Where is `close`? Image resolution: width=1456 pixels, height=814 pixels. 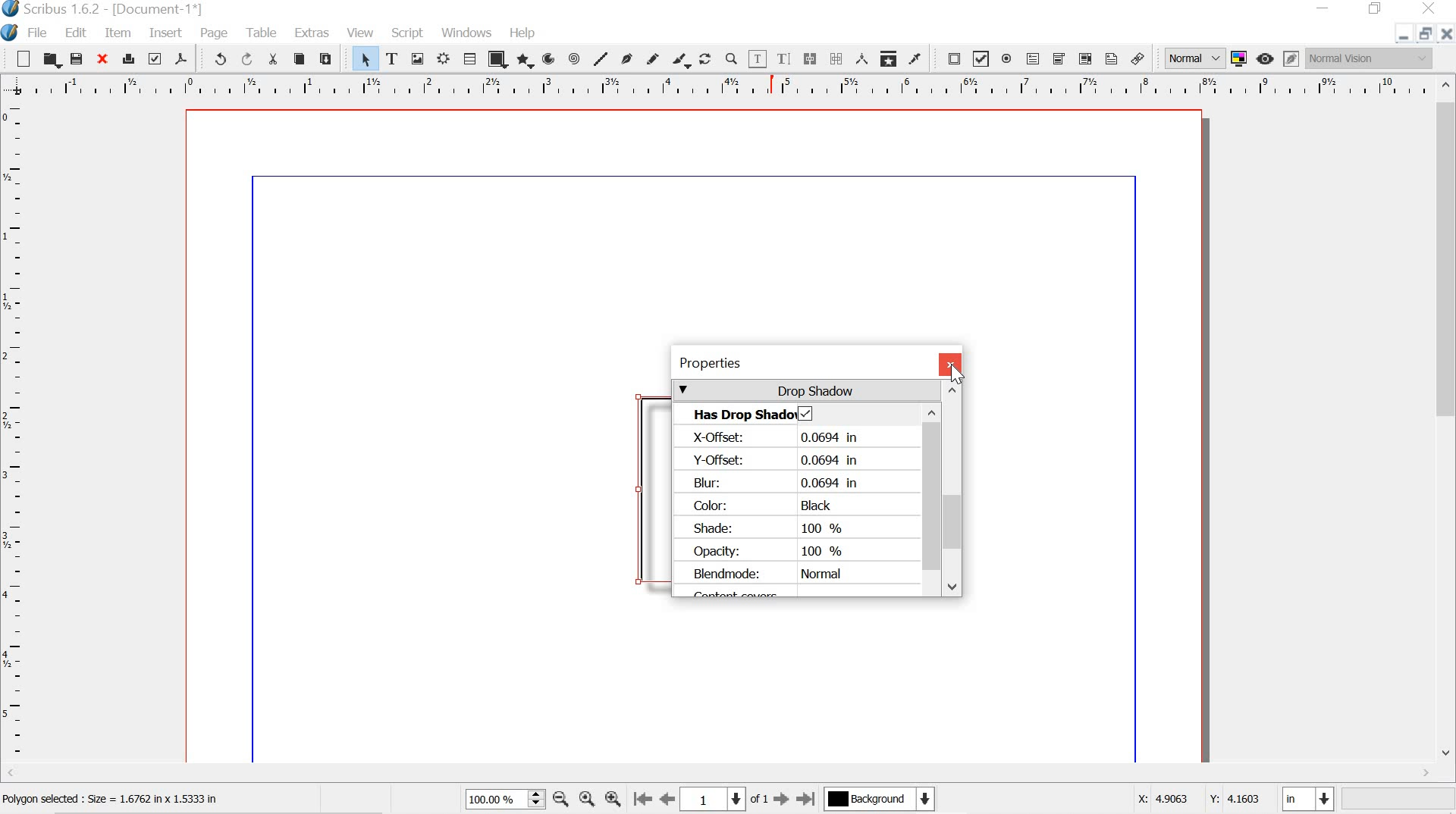
close is located at coordinates (950, 365).